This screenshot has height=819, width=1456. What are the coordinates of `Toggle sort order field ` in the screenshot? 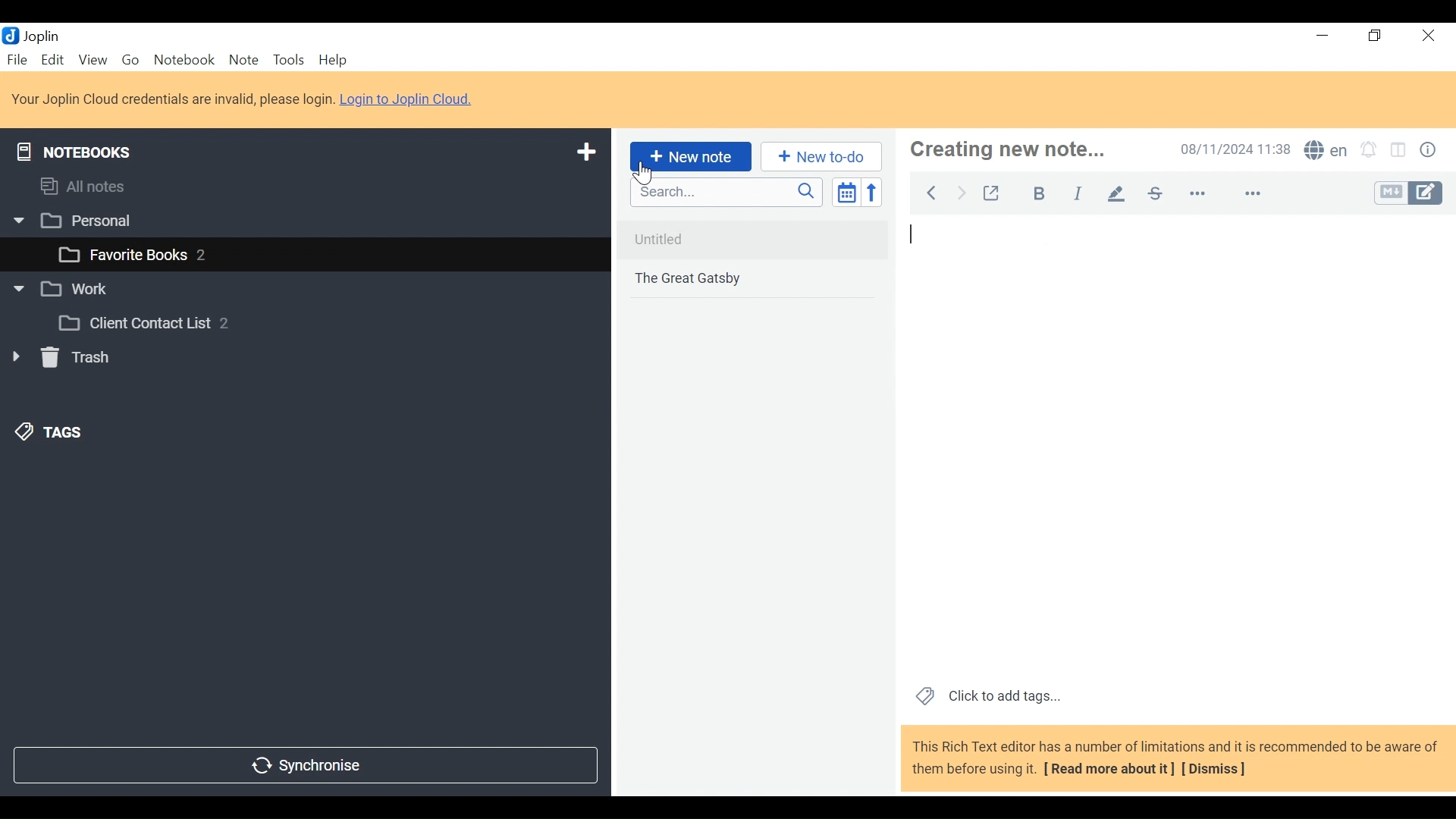 It's located at (848, 193).